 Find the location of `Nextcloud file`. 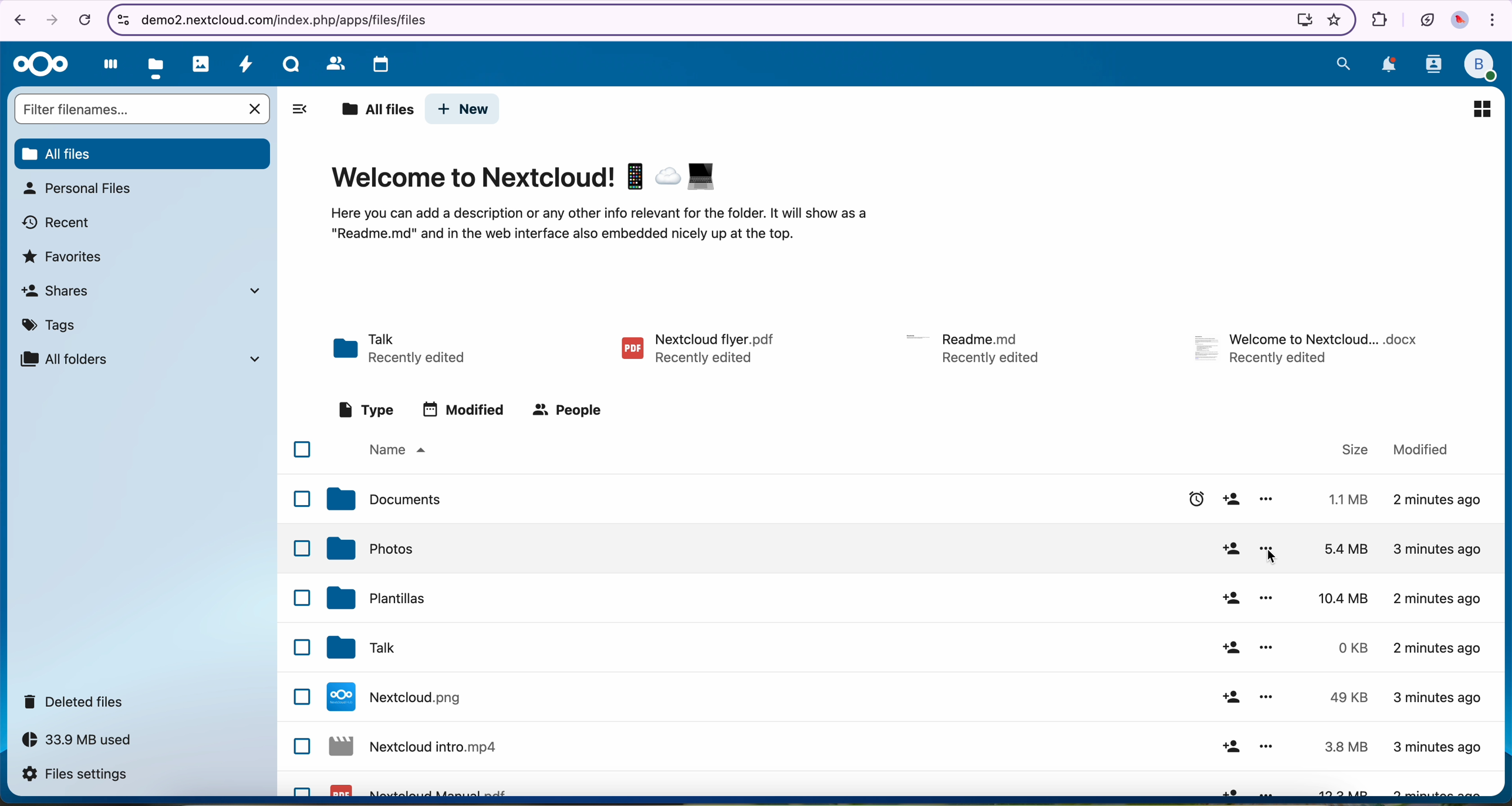

Nextcloud file is located at coordinates (417, 749).